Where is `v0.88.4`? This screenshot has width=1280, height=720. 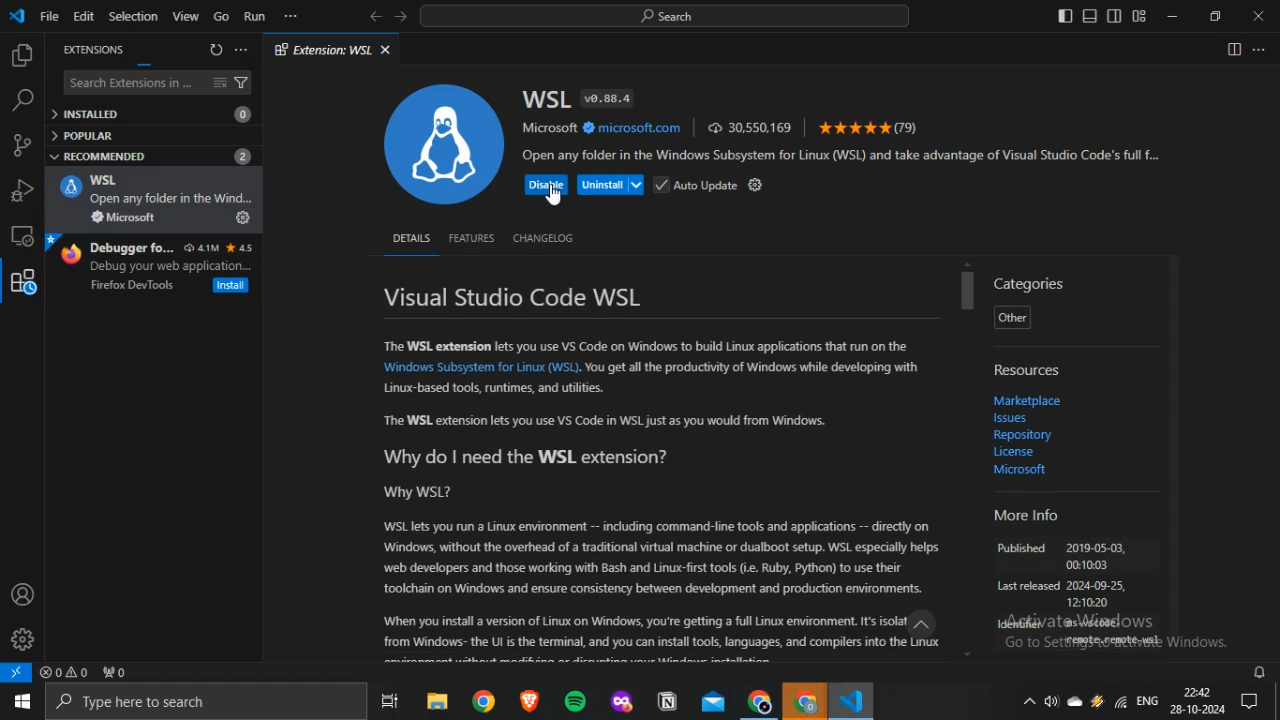 v0.88.4 is located at coordinates (606, 98).